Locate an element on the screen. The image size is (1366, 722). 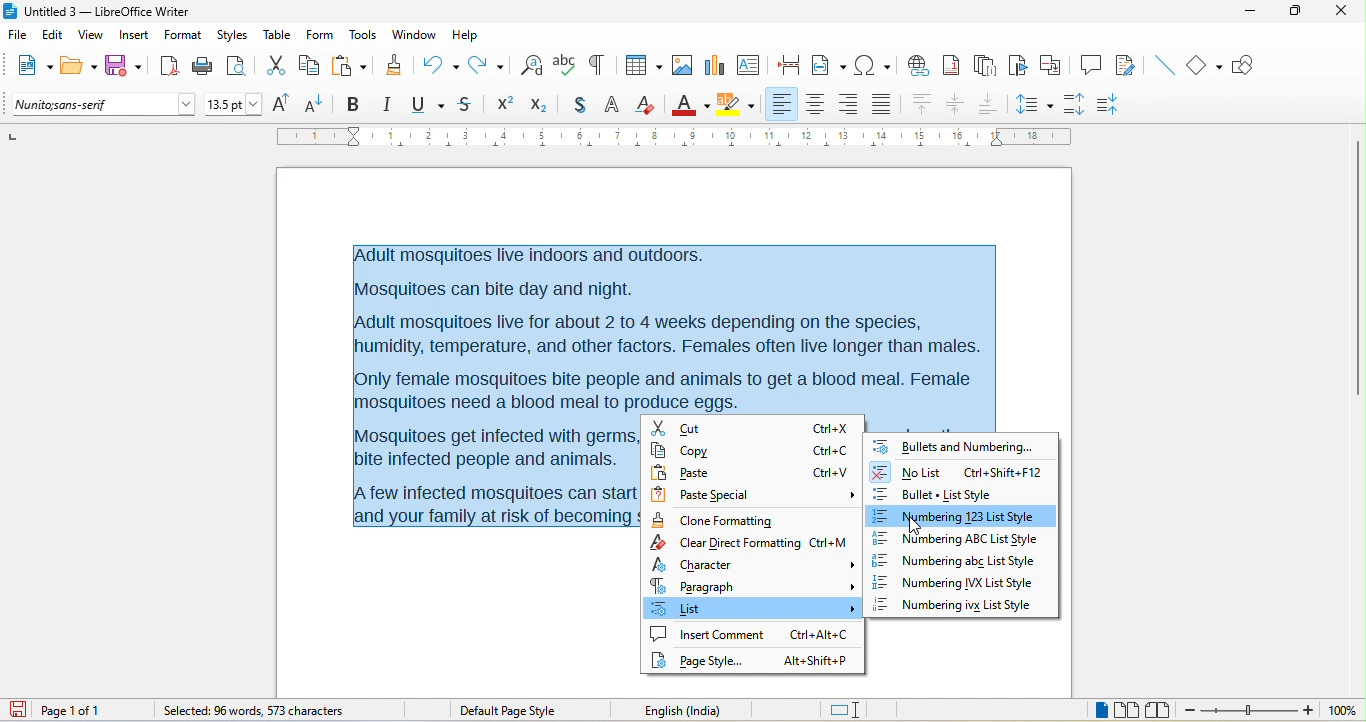
bullet list style is located at coordinates (961, 493).